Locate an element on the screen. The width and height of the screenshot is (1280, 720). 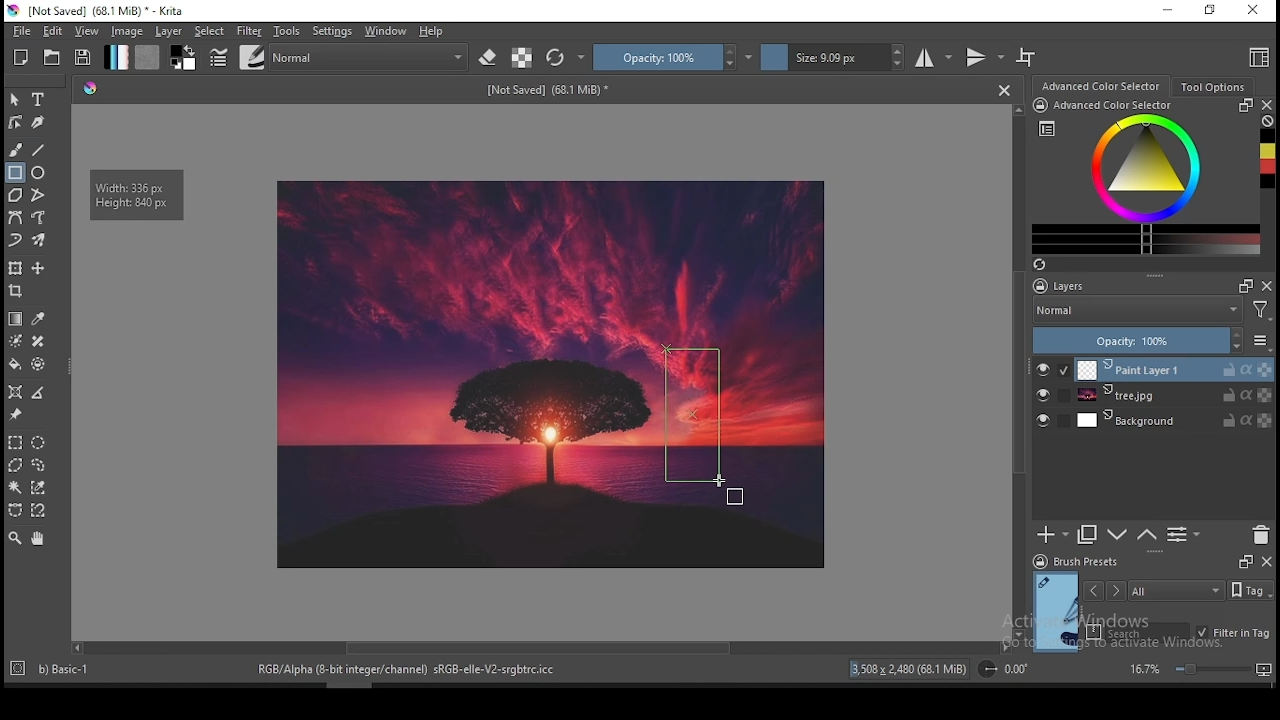
gradient tool is located at coordinates (16, 318).